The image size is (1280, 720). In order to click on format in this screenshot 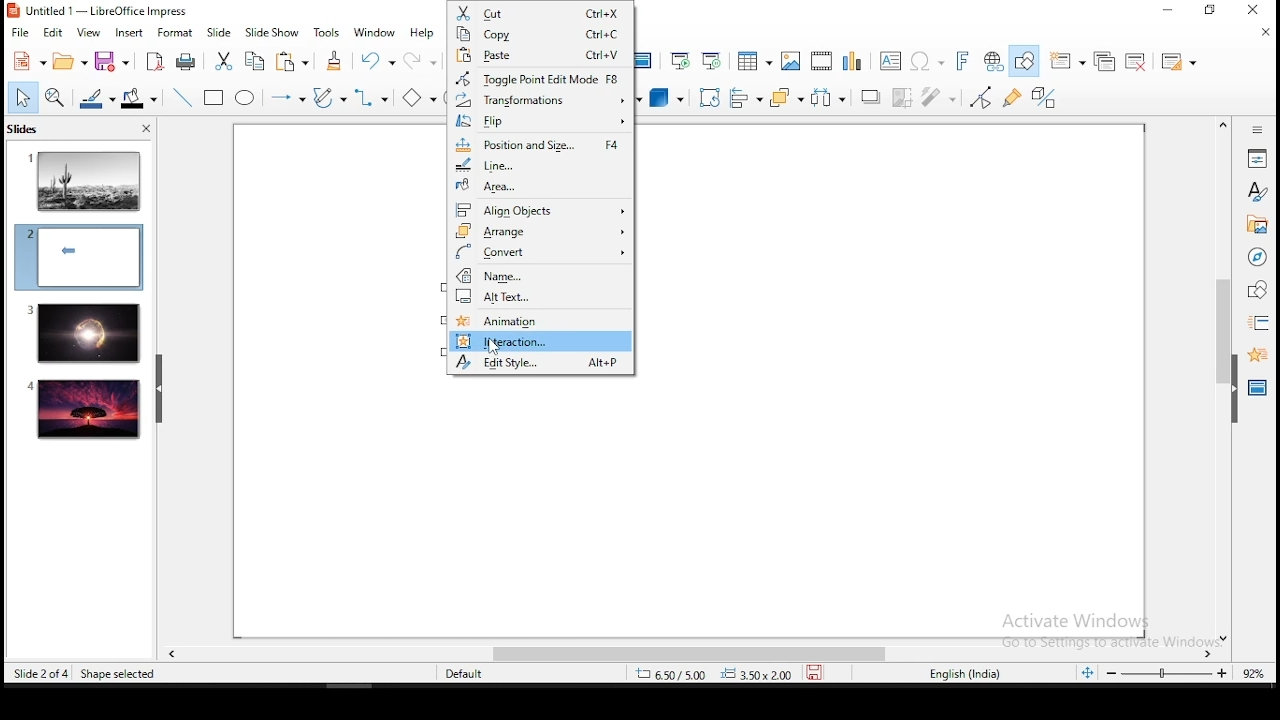, I will do `click(173, 31)`.